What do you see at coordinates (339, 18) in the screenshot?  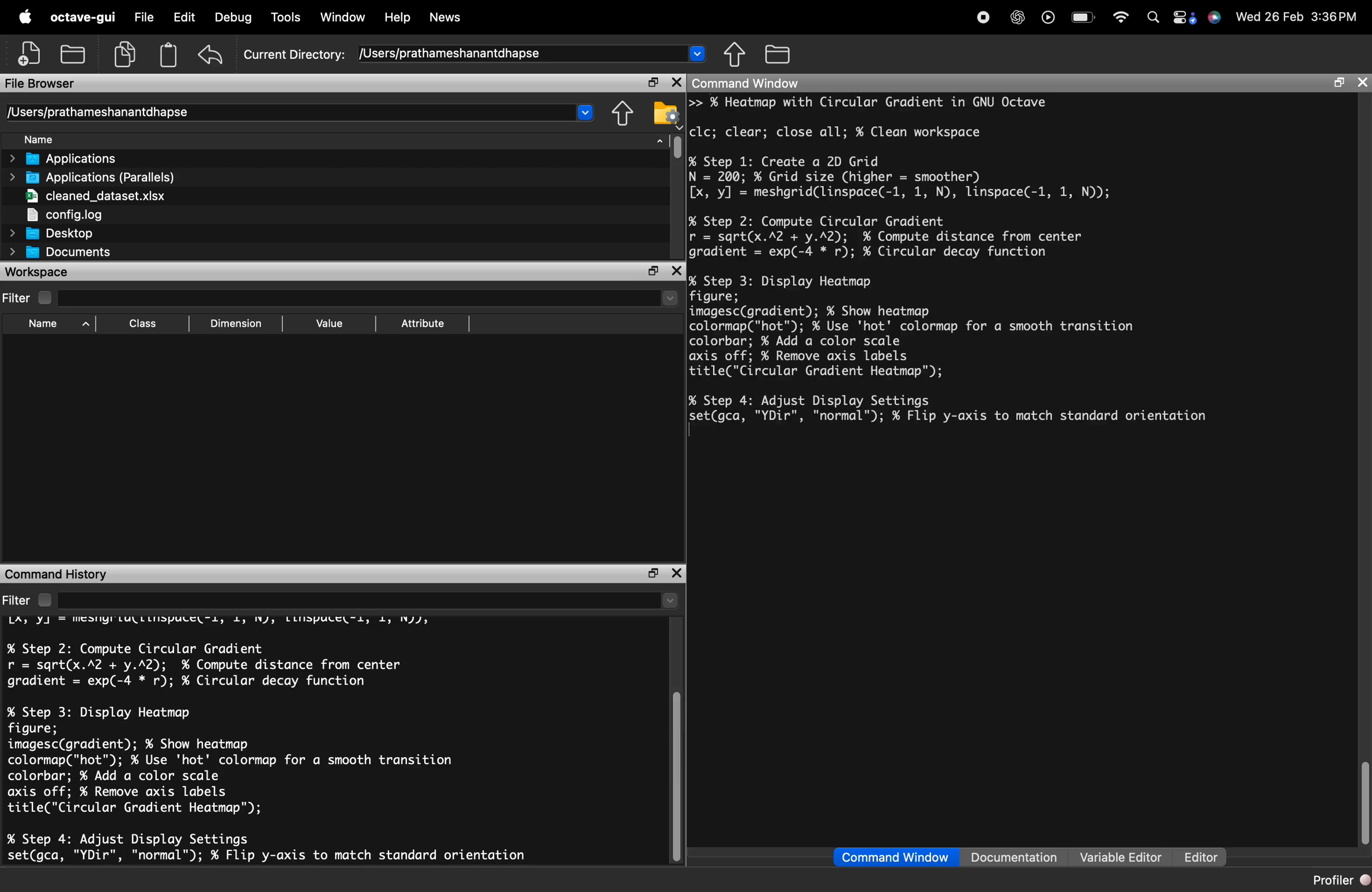 I see `Window` at bounding box center [339, 18].